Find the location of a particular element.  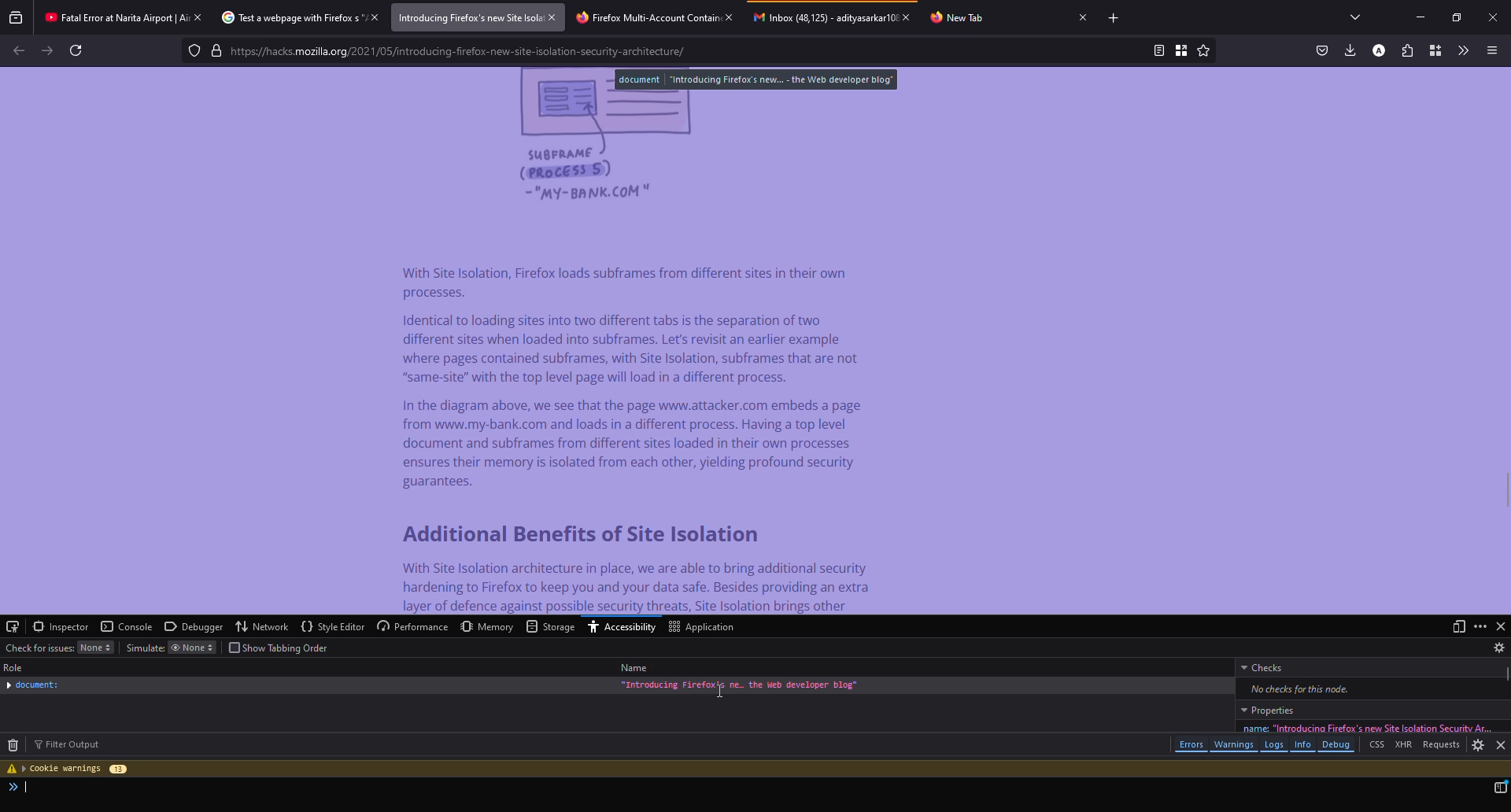

downloads is located at coordinates (1349, 49).